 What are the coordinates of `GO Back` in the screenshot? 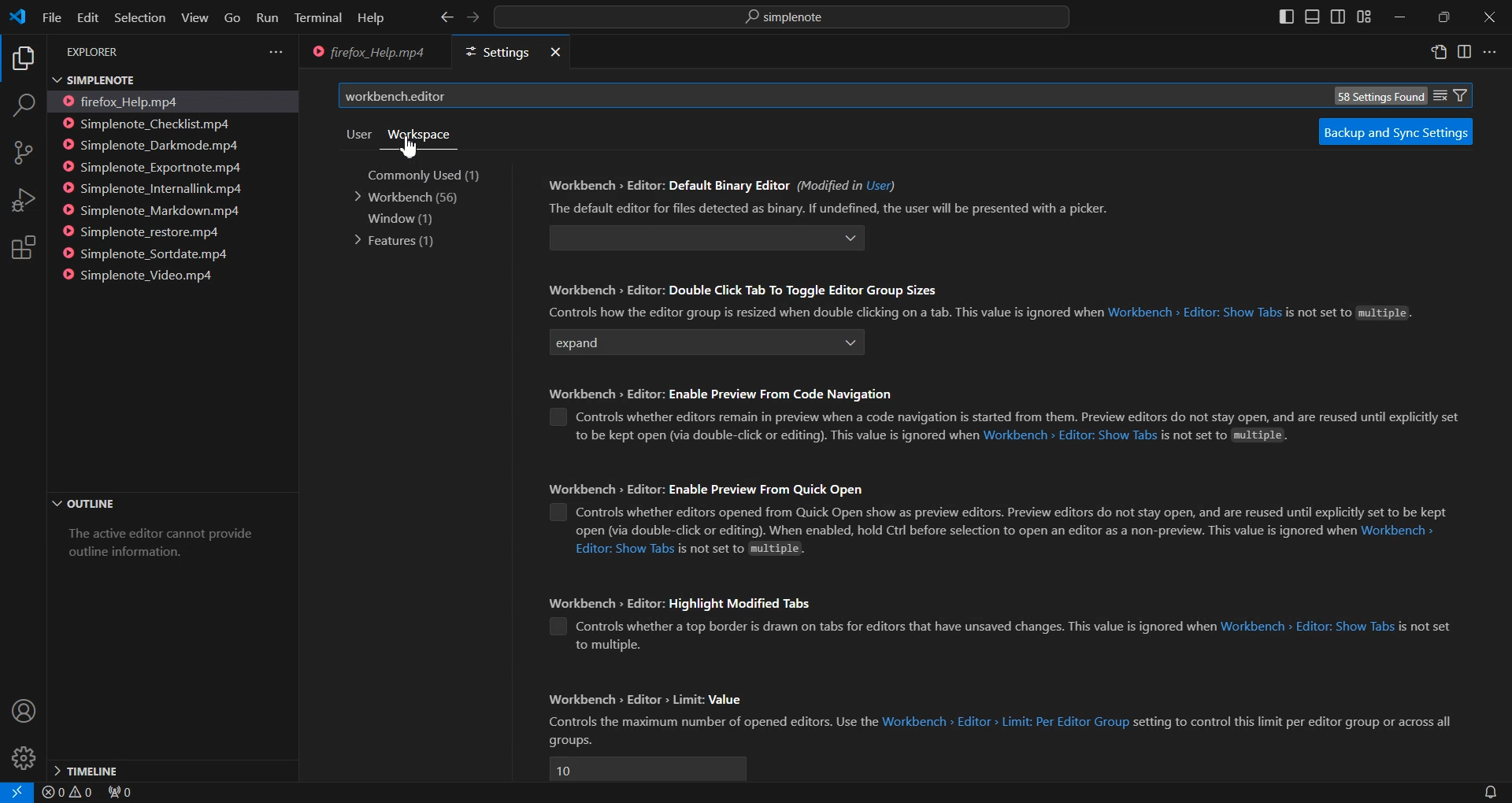 It's located at (447, 17).